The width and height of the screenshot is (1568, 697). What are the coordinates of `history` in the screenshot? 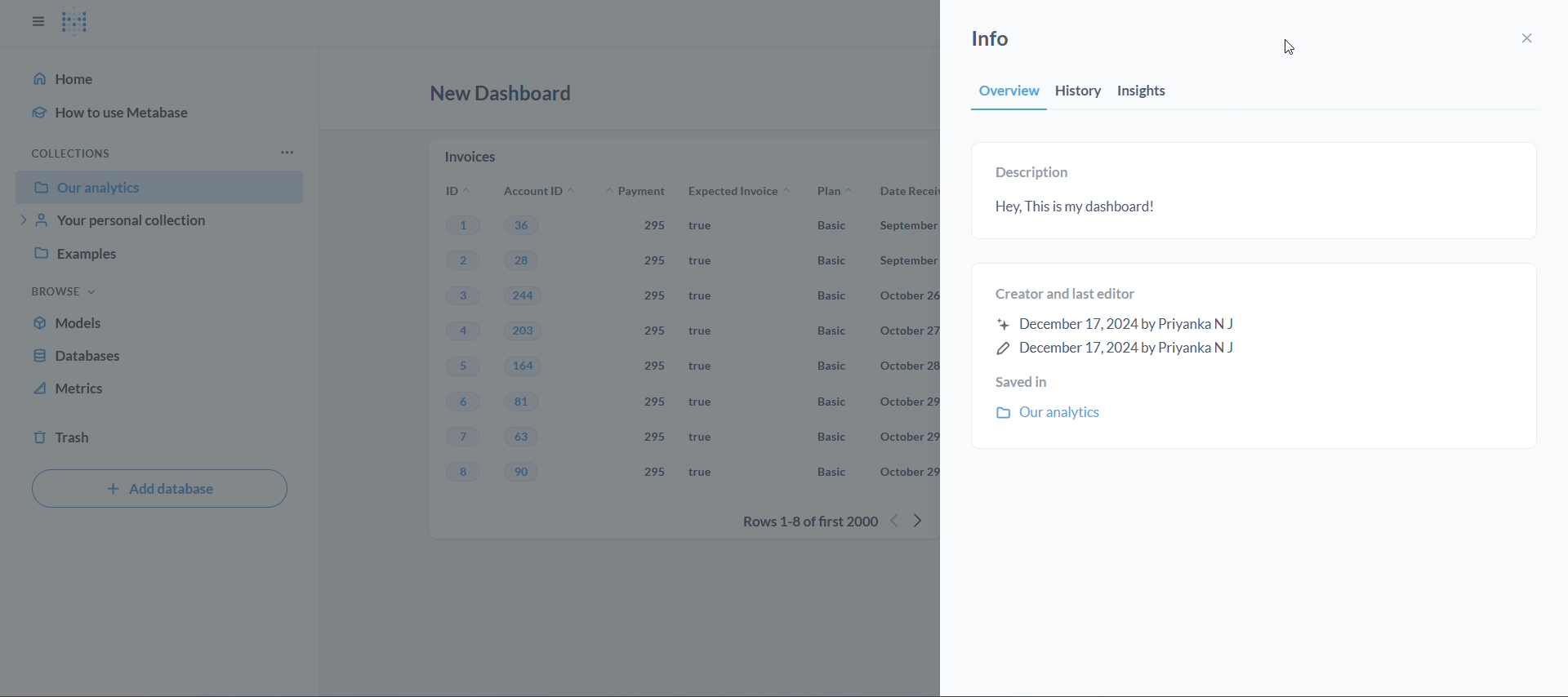 It's located at (1080, 93).